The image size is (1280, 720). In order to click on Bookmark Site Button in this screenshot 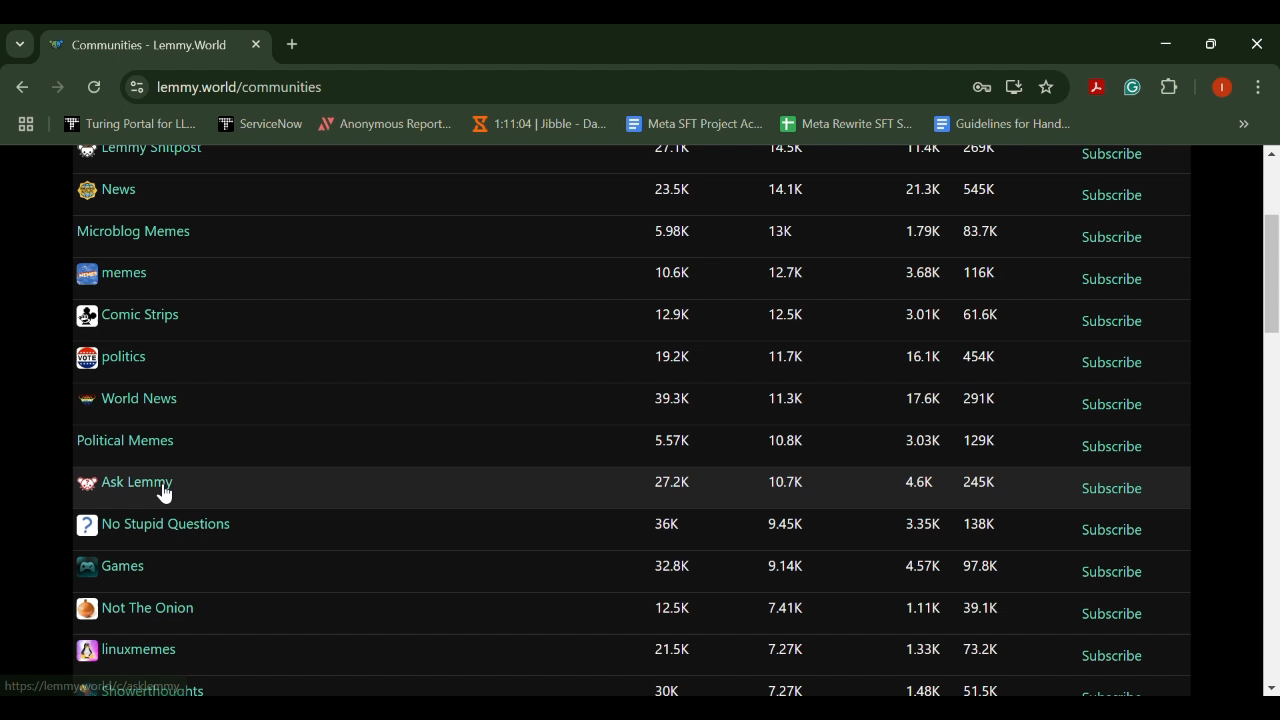, I will do `click(1046, 88)`.